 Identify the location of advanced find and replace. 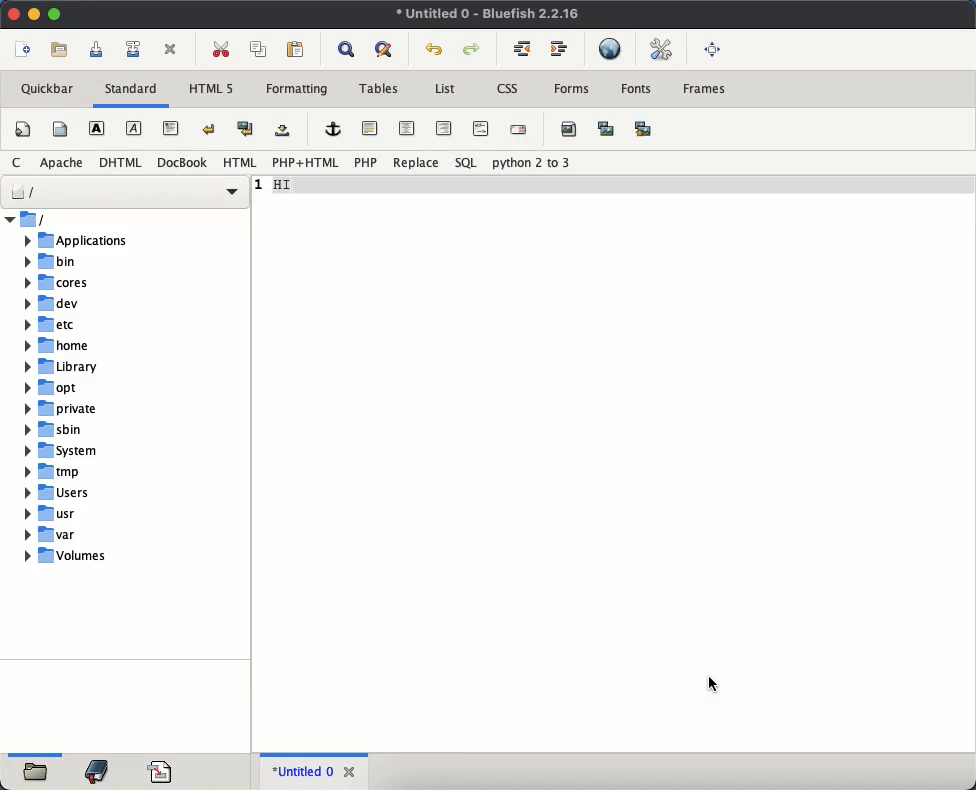
(383, 51).